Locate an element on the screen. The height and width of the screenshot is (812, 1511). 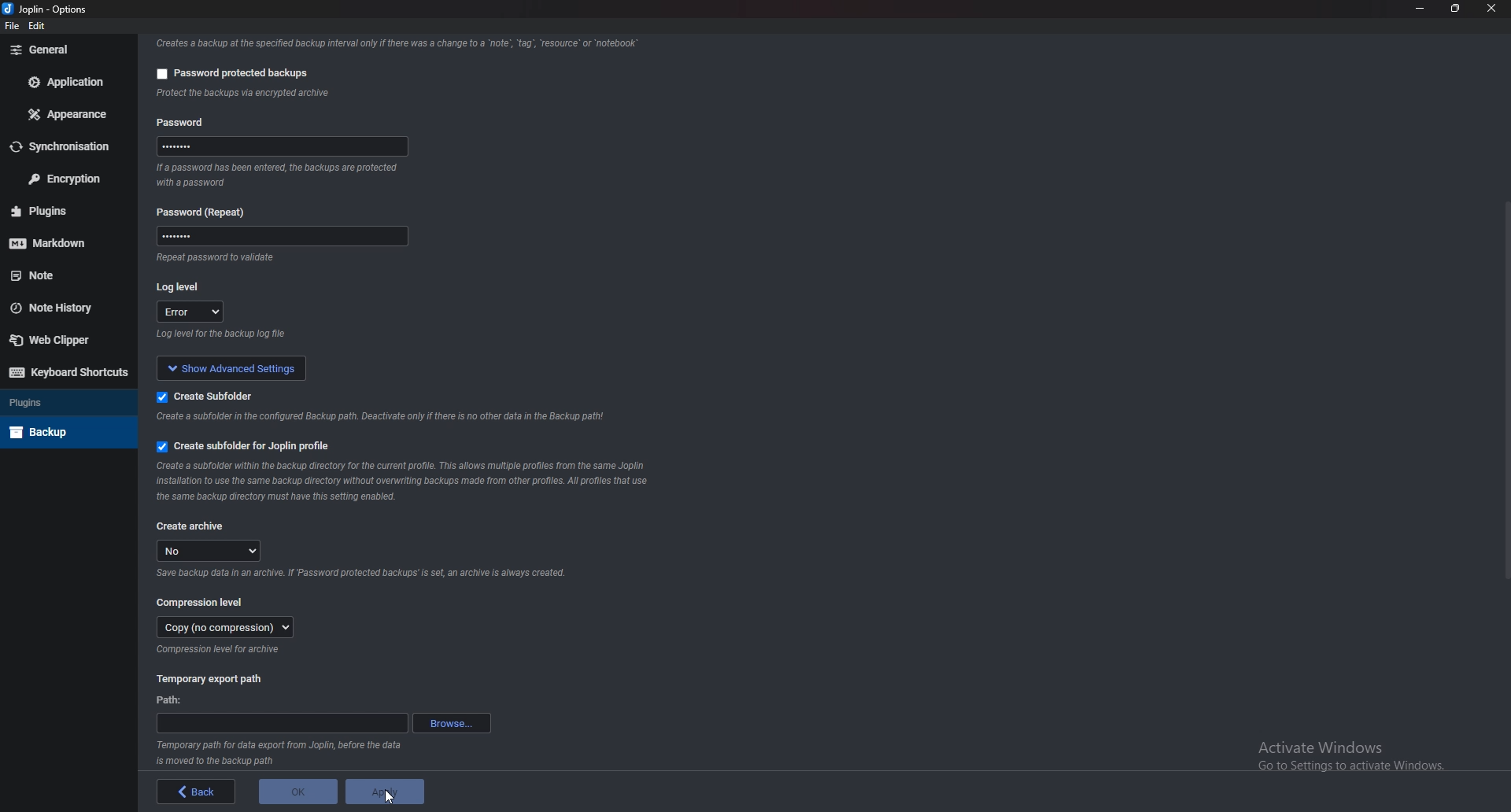
general is located at coordinates (64, 50).